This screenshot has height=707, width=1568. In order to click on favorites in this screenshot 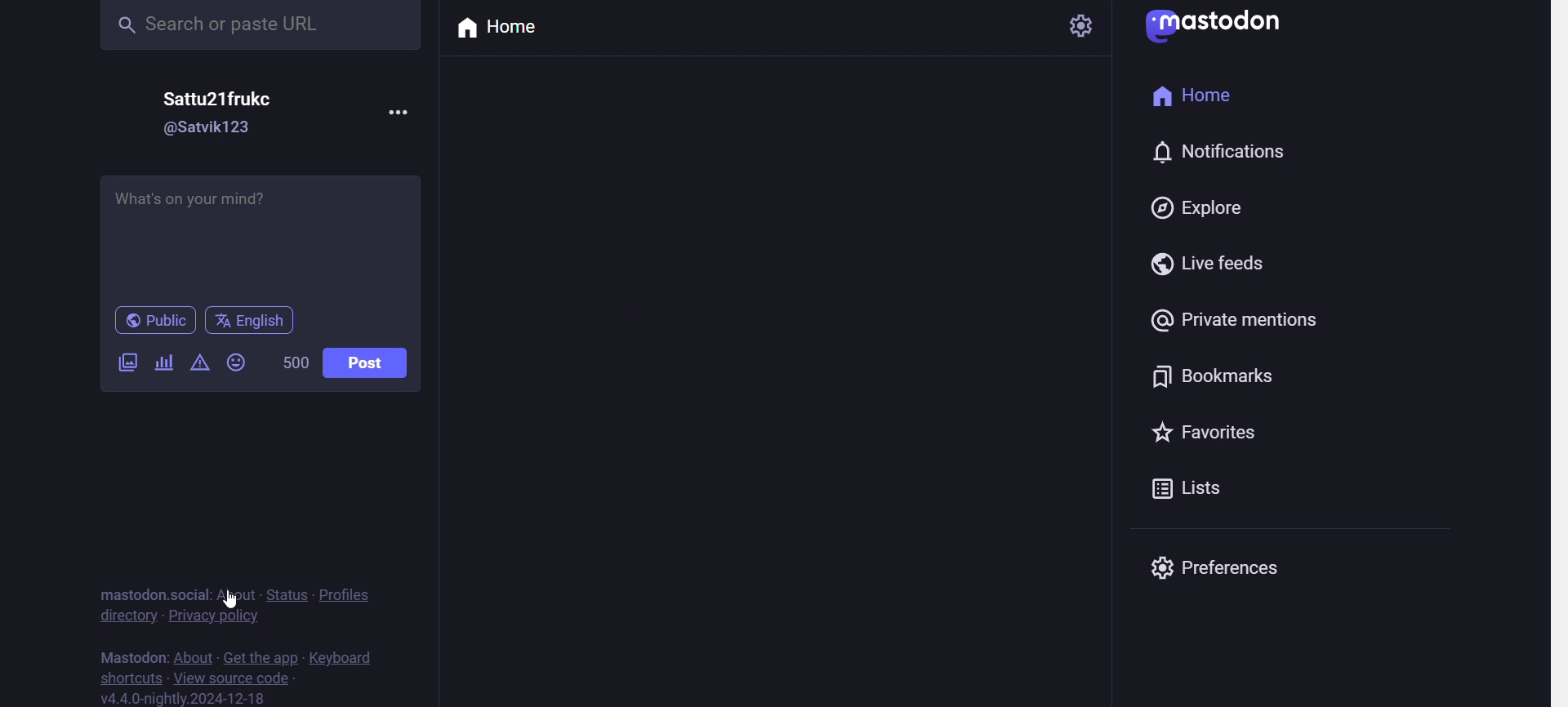, I will do `click(1204, 434)`.